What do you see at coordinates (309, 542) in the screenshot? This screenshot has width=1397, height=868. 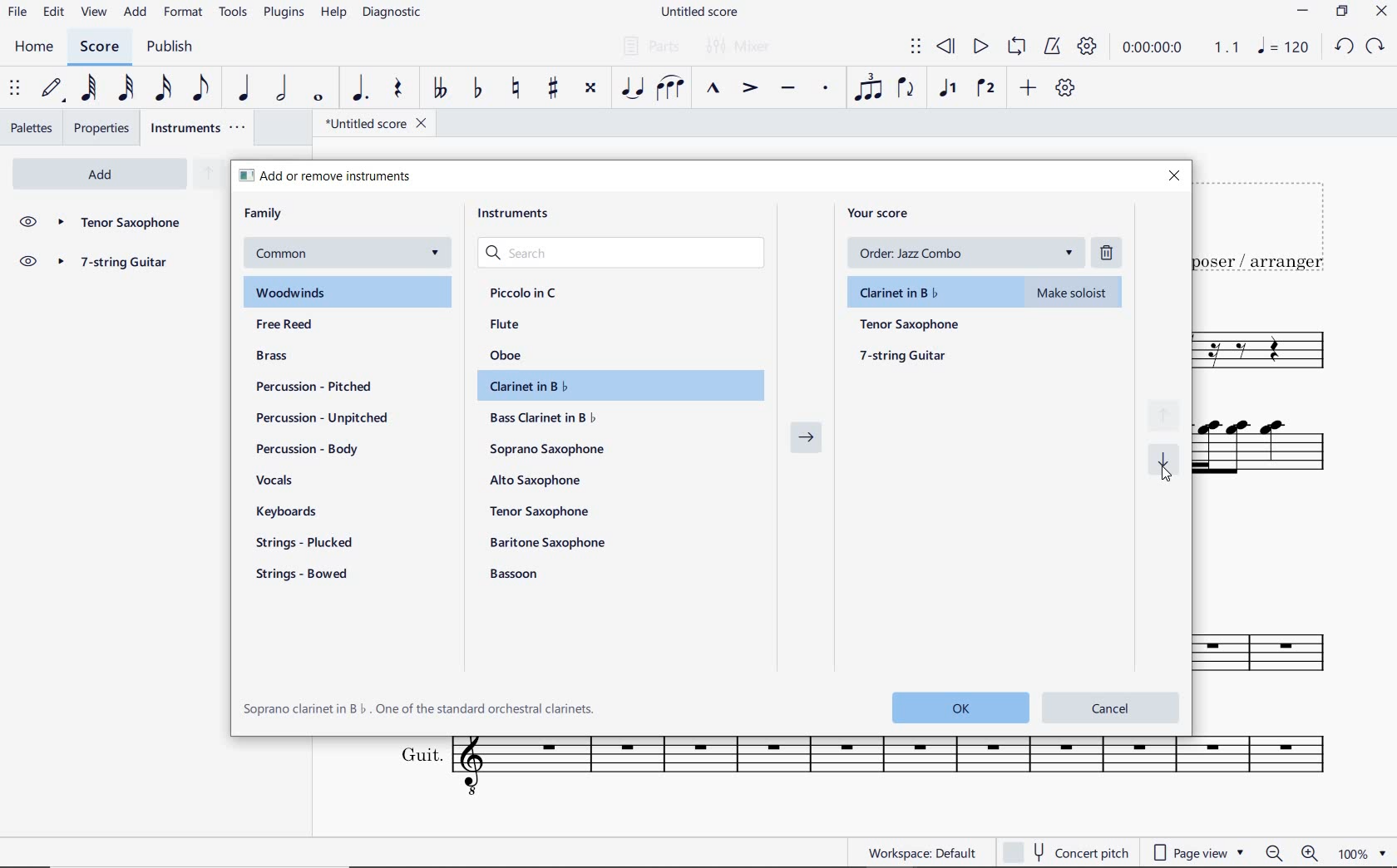 I see `strings - plucked` at bounding box center [309, 542].